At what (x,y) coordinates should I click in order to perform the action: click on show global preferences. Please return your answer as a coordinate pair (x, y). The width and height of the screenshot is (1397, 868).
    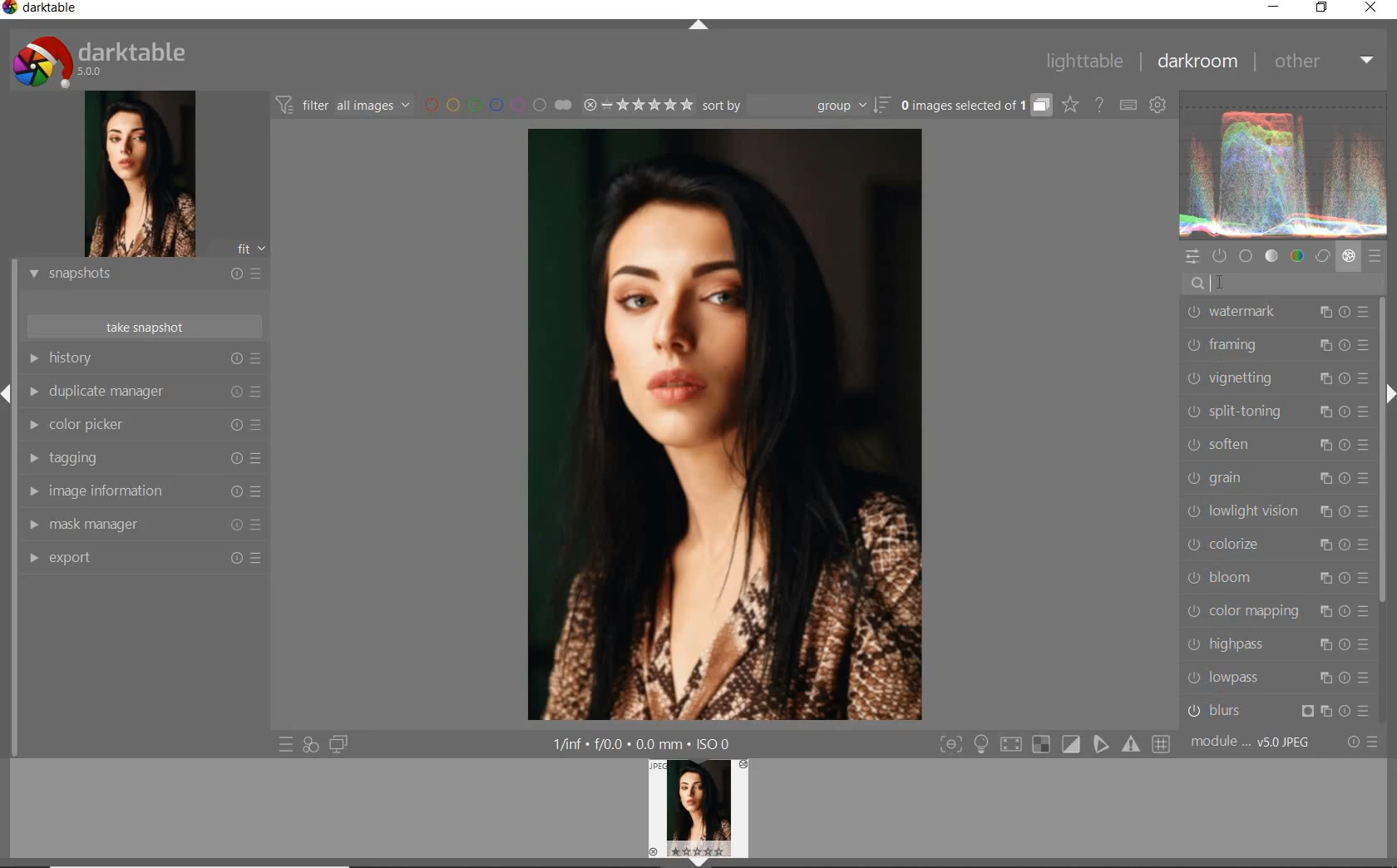
    Looking at the image, I should click on (1159, 104).